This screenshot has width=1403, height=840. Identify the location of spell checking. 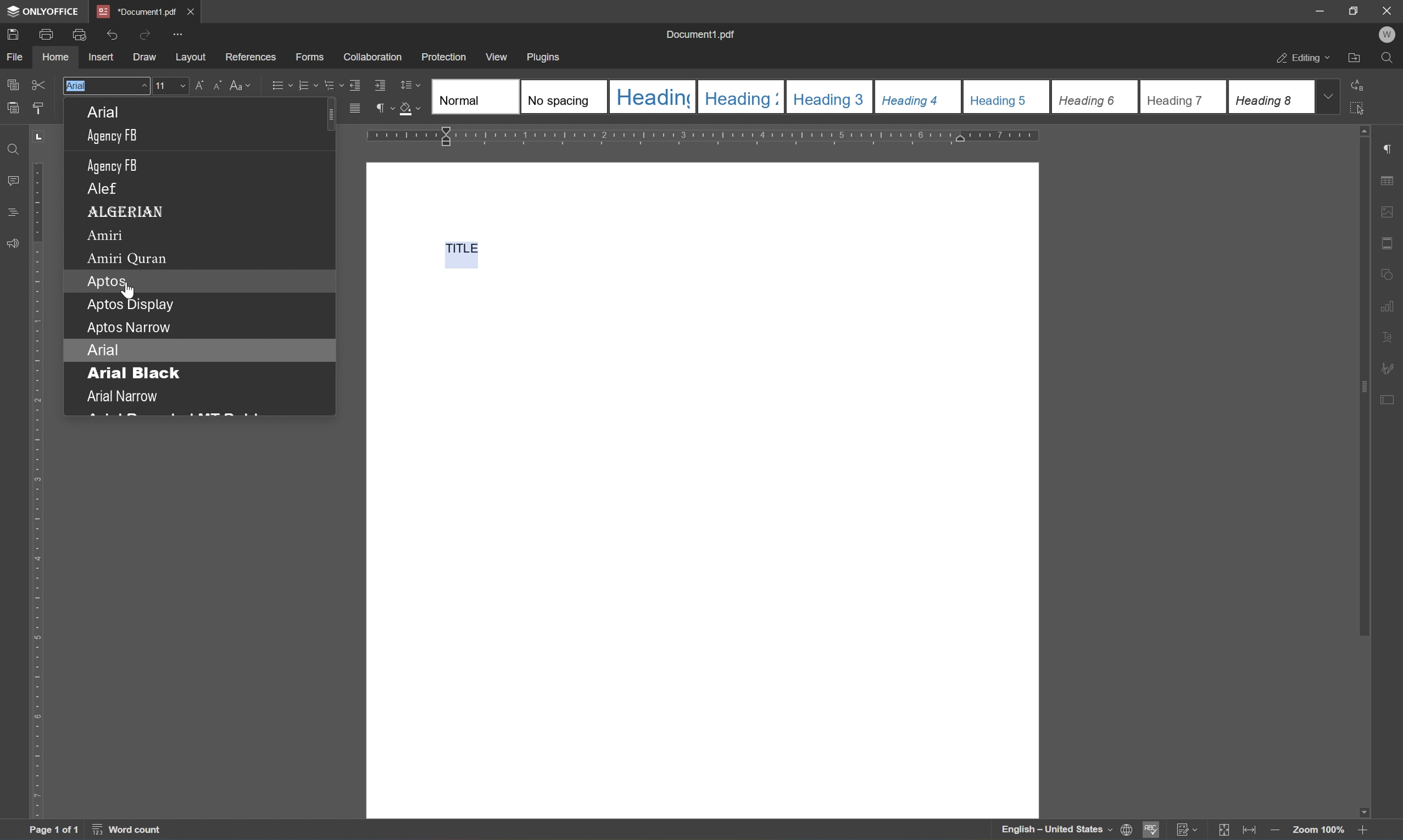
(1152, 830).